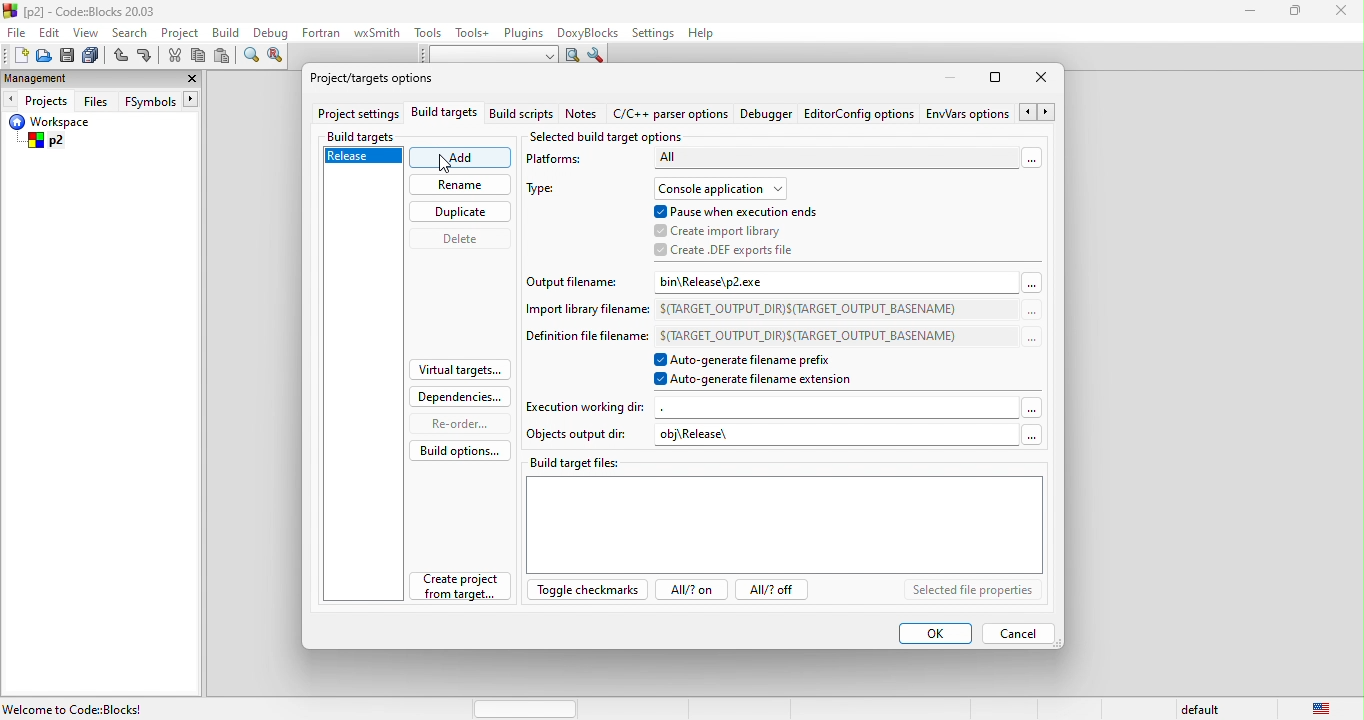  Describe the element at coordinates (598, 57) in the screenshot. I see `show option window` at that location.